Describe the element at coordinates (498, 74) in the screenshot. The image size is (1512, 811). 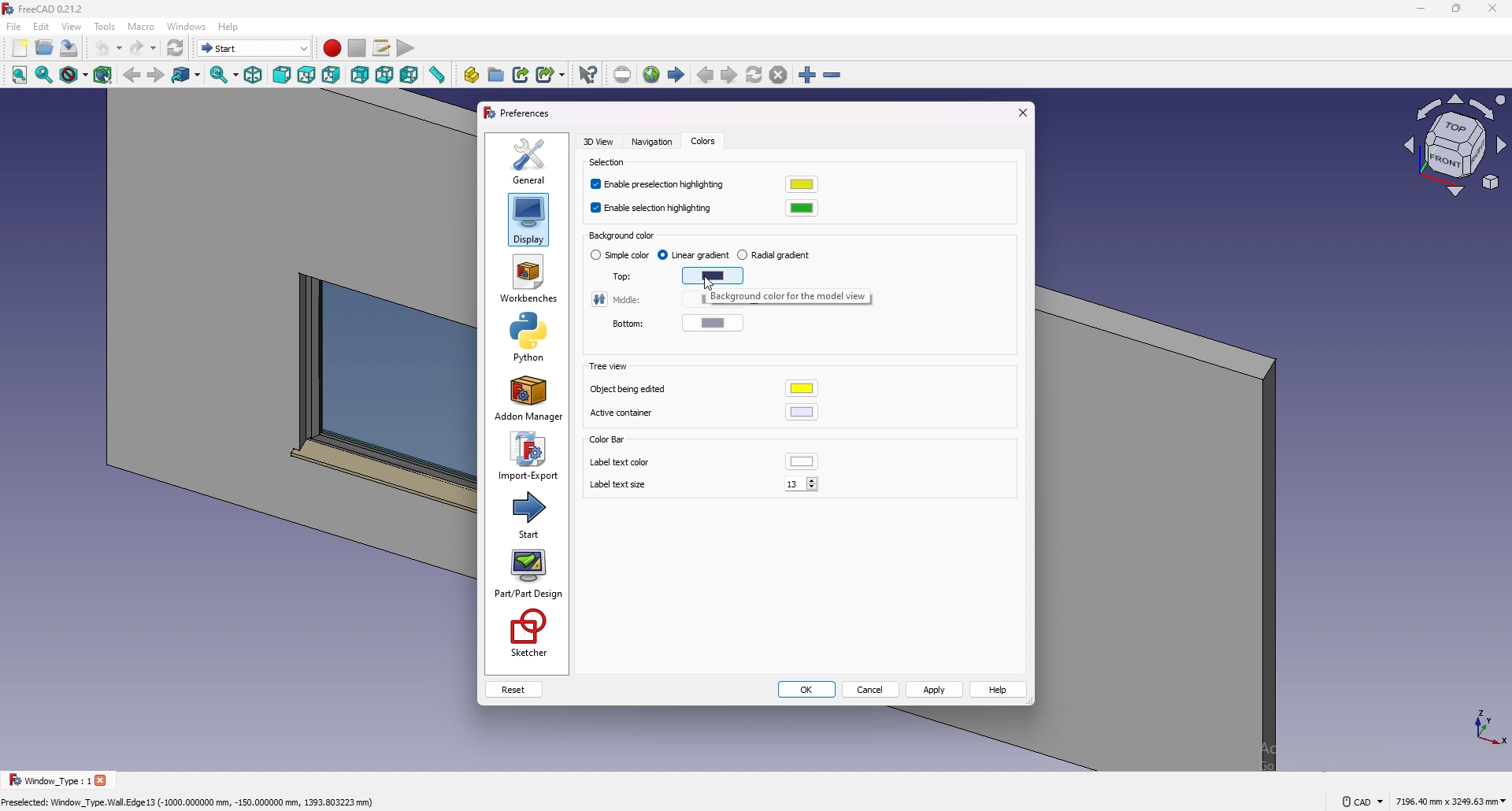
I see `create group` at that location.